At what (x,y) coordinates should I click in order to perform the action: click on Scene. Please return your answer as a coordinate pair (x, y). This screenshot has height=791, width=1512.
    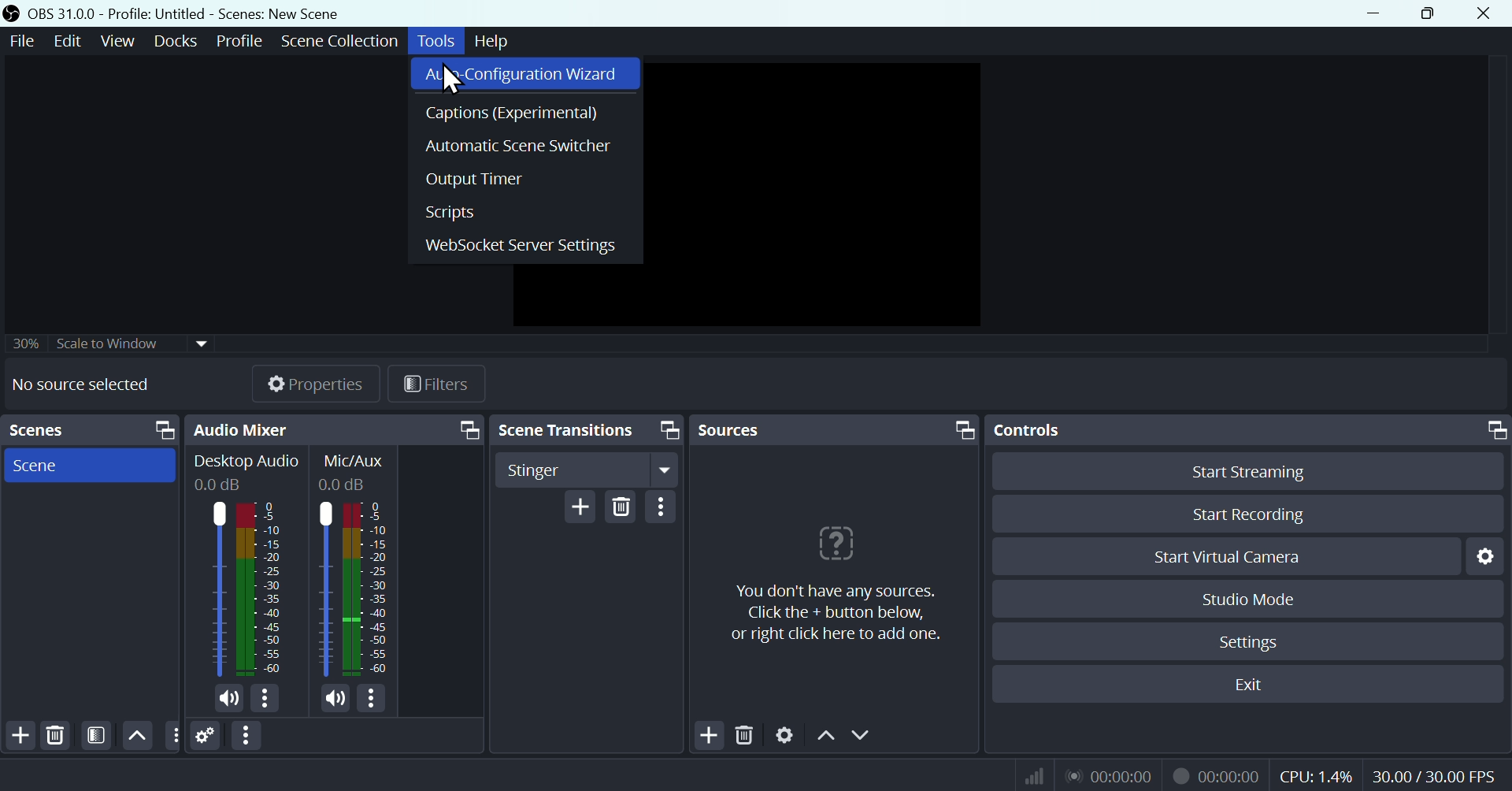
    Looking at the image, I should click on (89, 465).